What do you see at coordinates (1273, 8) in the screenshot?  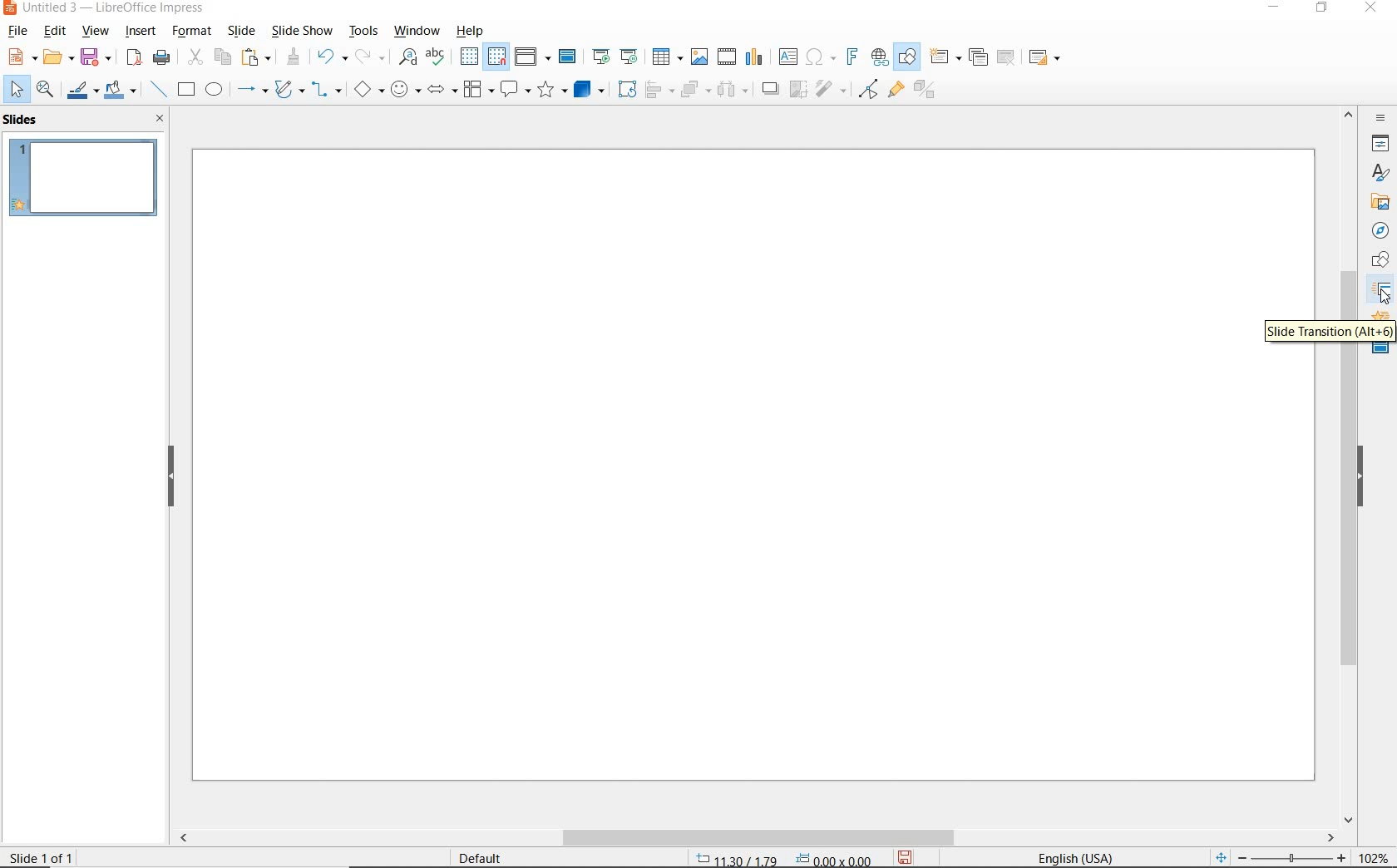 I see `MINIMIZE` at bounding box center [1273, 8].